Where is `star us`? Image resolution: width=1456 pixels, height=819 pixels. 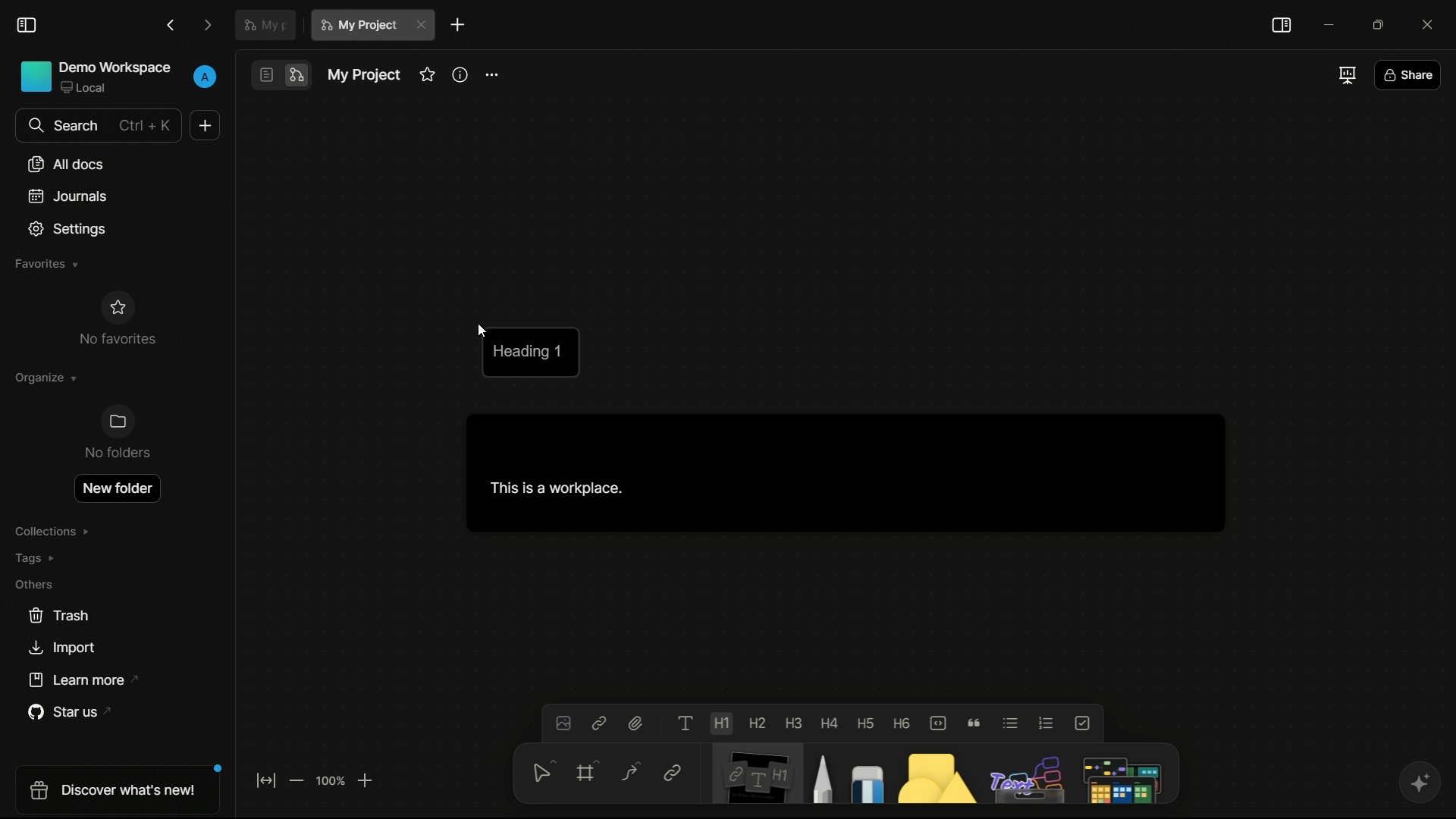
star us is located at coordinates (63, 711).